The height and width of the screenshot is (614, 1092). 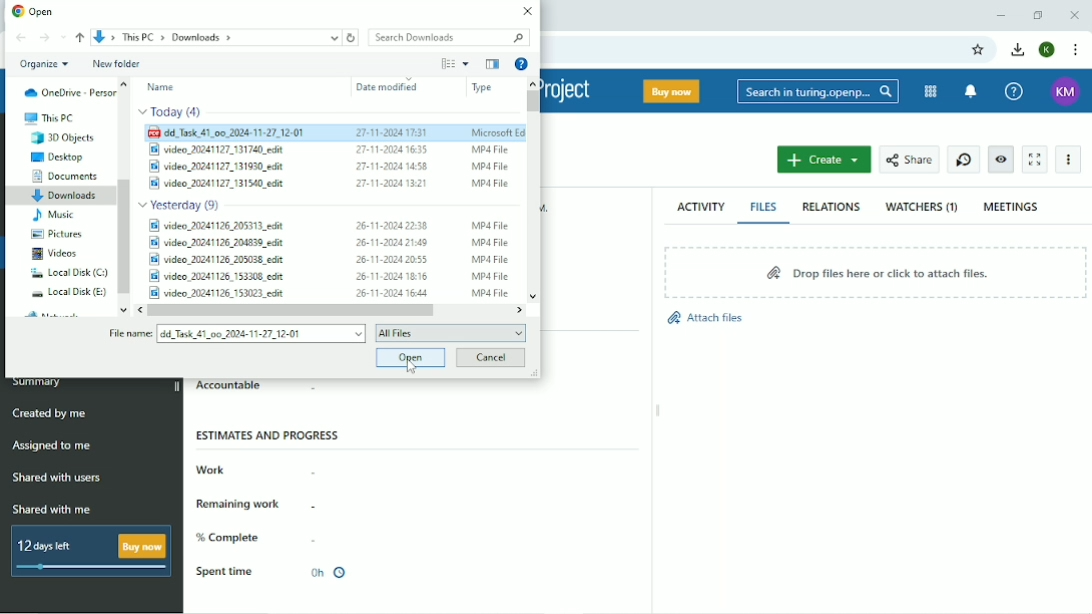 I want to click on Yesterday (9), so click(x=183, y=203).